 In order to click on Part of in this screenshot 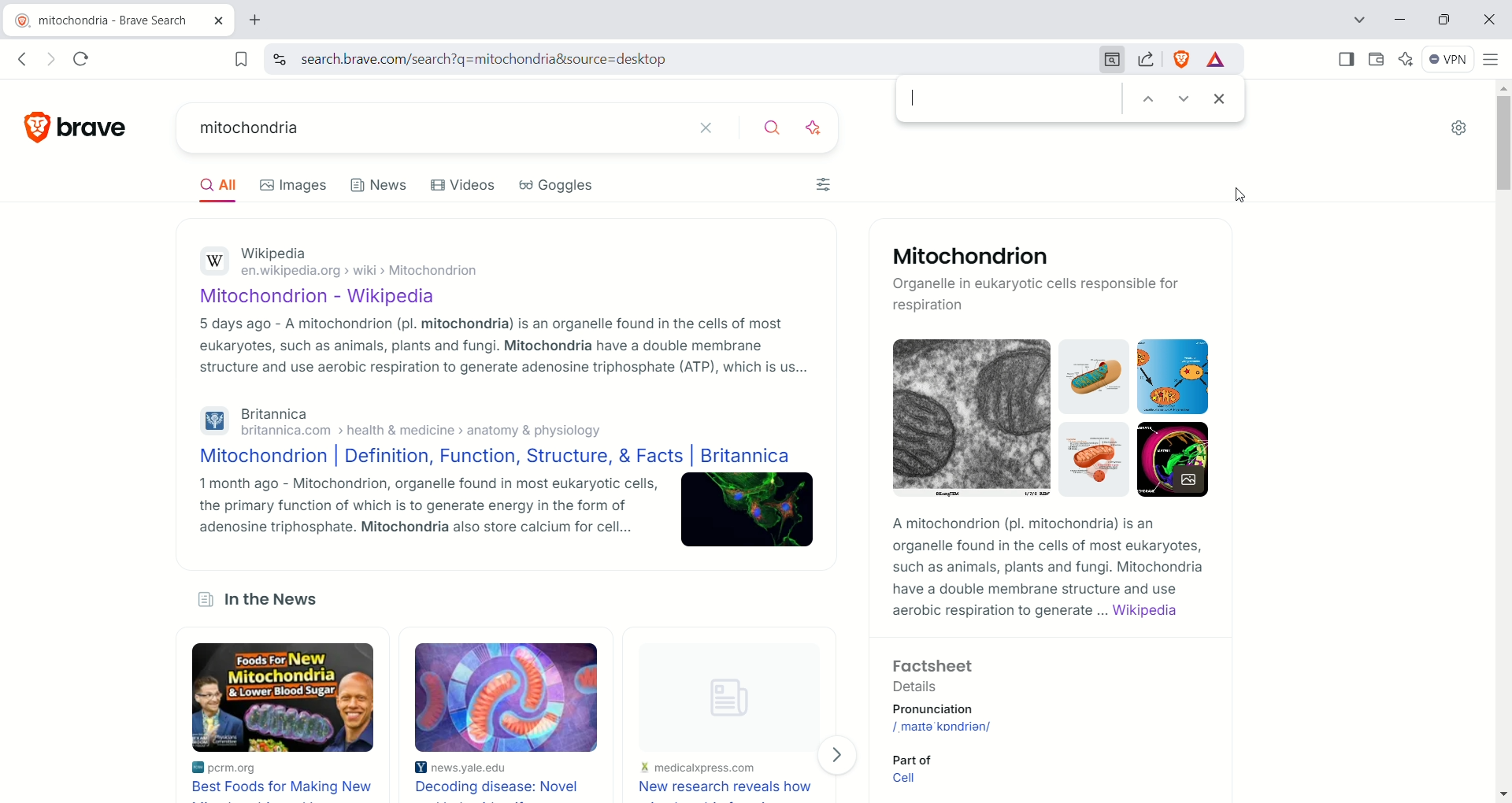, I will do `click(928, 759)`.